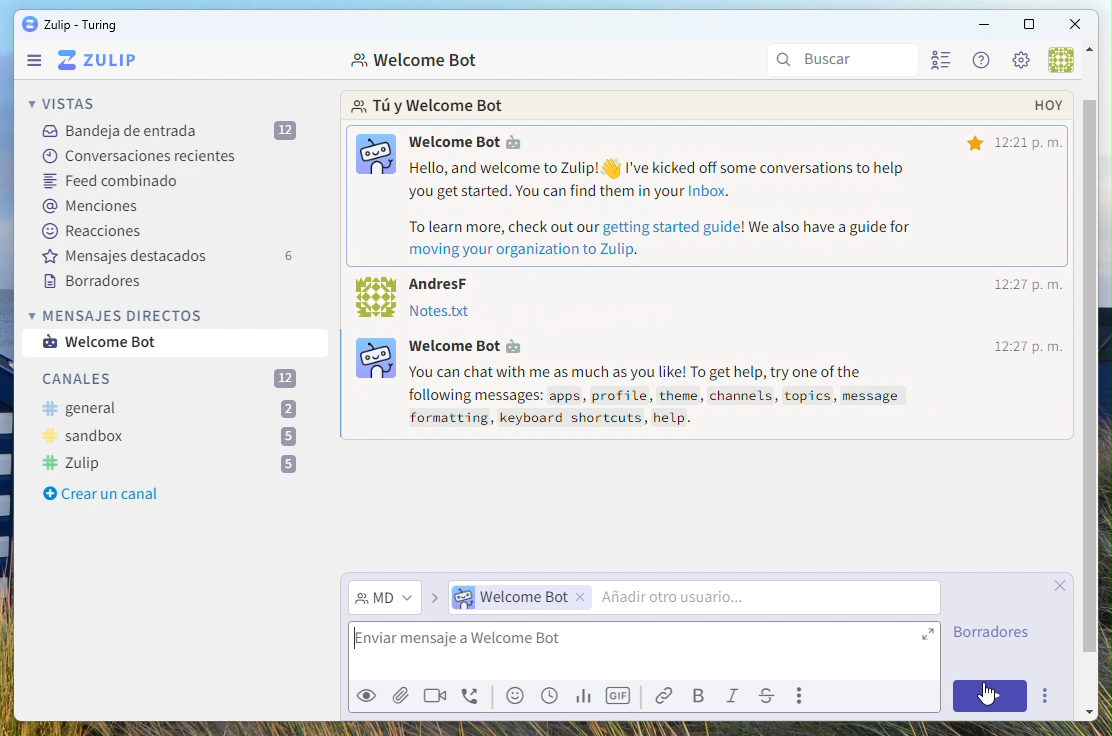 This screenshot has height=736, width=1112. What do you see at coordinates (669, 696) in the screenshot?
I see `links` at bounding box center [669, 696].